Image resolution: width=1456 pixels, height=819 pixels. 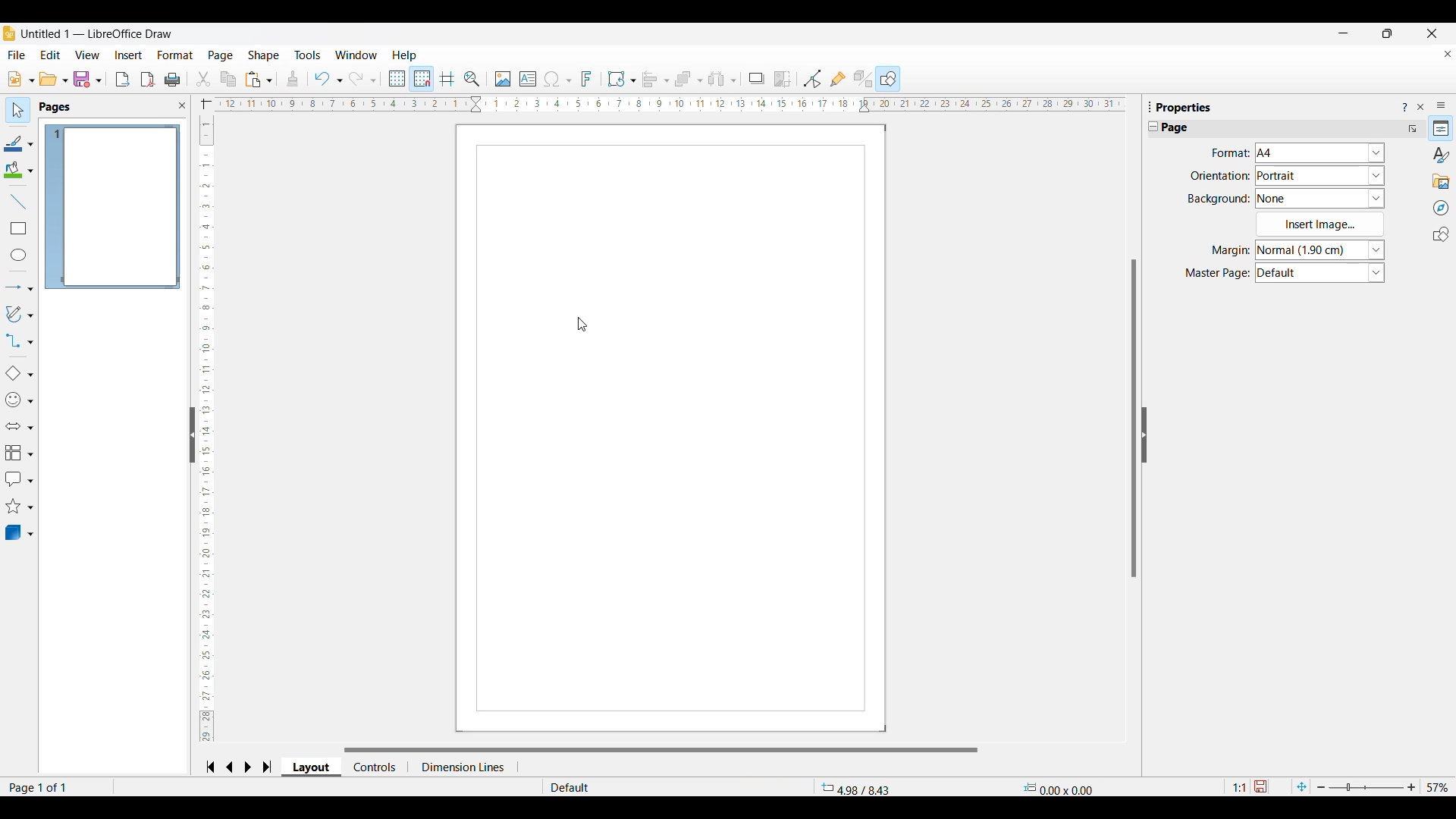 I want to click on Insert fontwork text, so click(x=587, y=79).